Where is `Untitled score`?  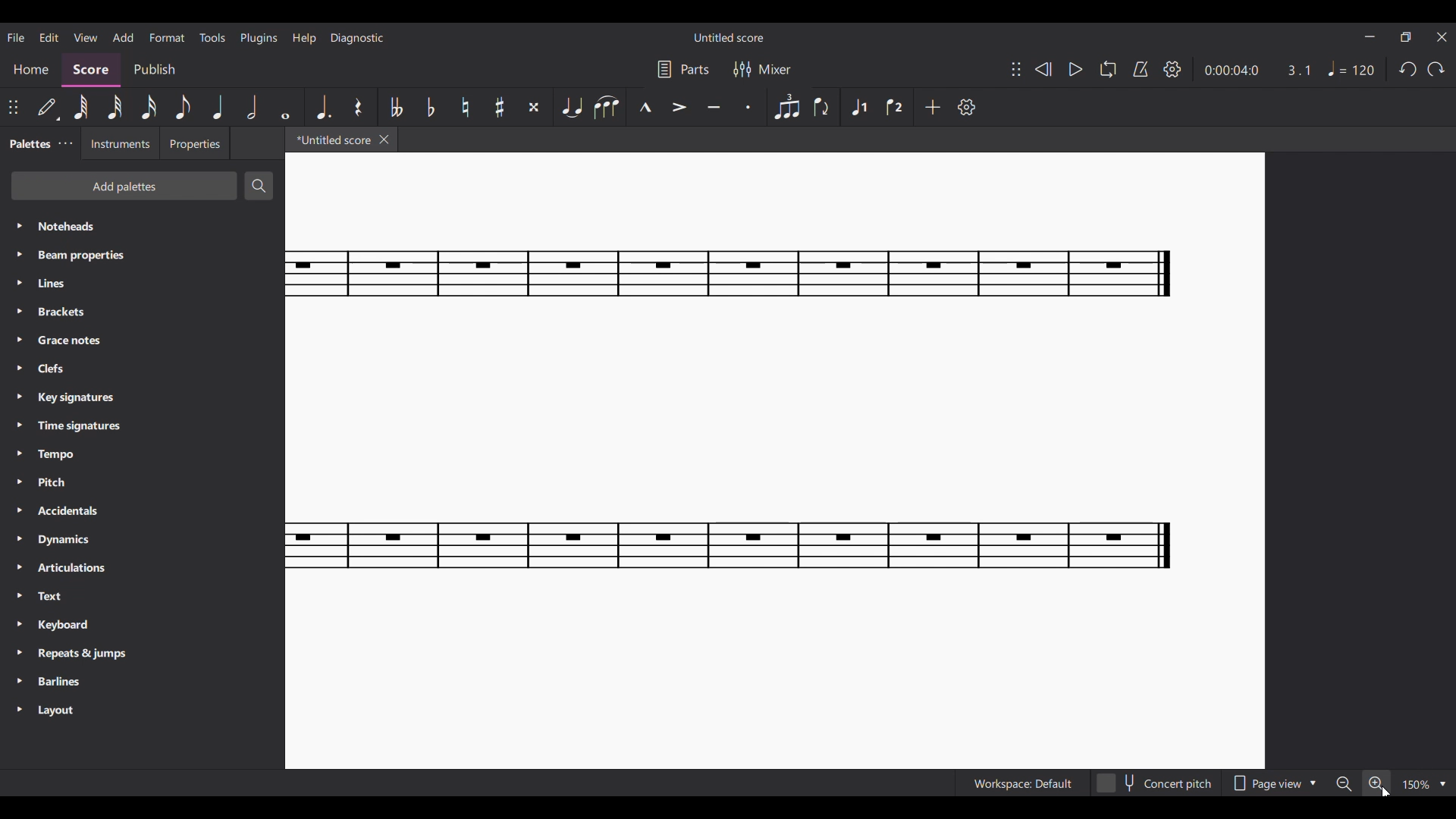
Untitled score is located at coordinates (729, 38).